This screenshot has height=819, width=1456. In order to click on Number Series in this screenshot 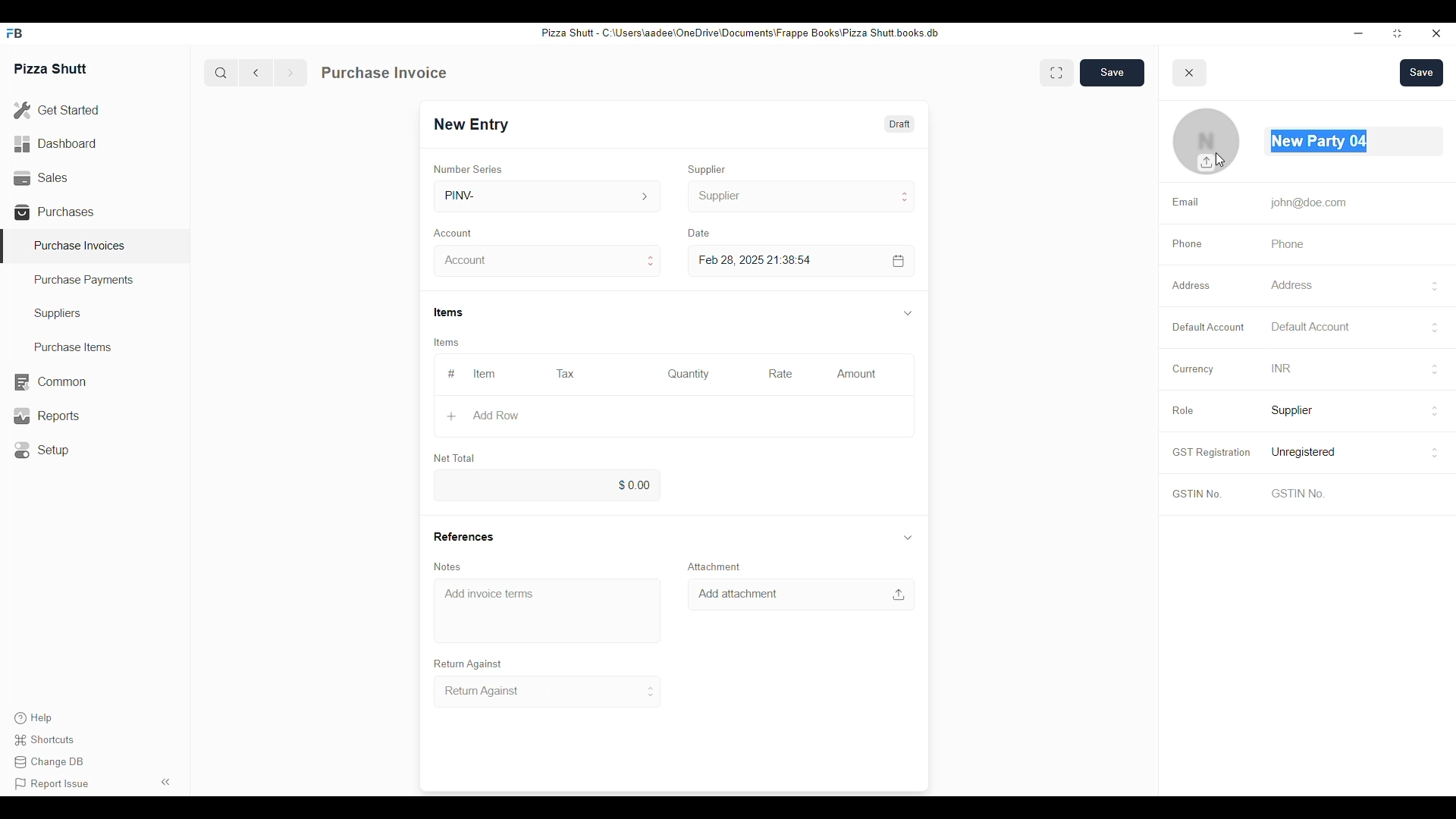, I will do `click(468, 169)`.